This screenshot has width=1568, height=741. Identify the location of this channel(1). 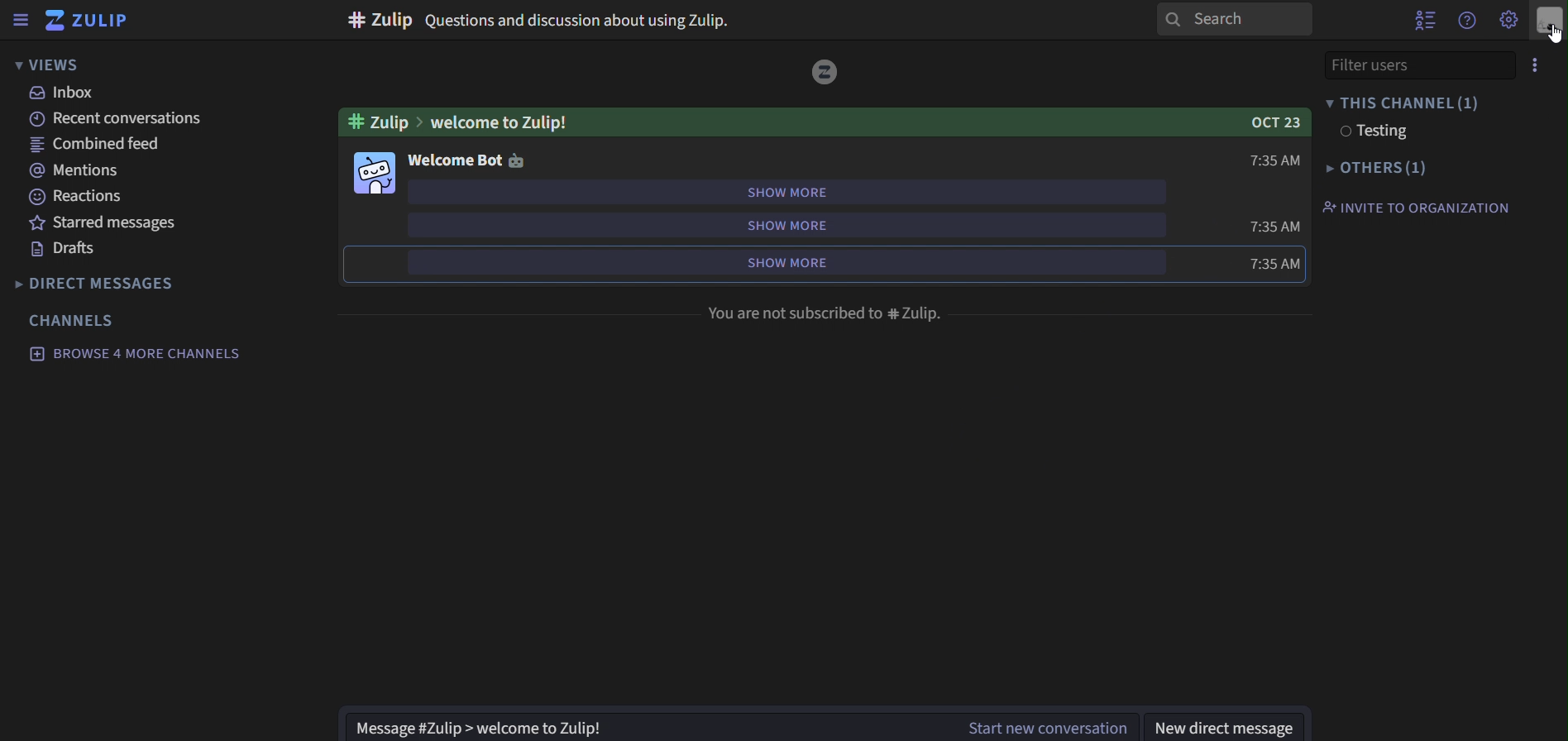
(1402, 101).